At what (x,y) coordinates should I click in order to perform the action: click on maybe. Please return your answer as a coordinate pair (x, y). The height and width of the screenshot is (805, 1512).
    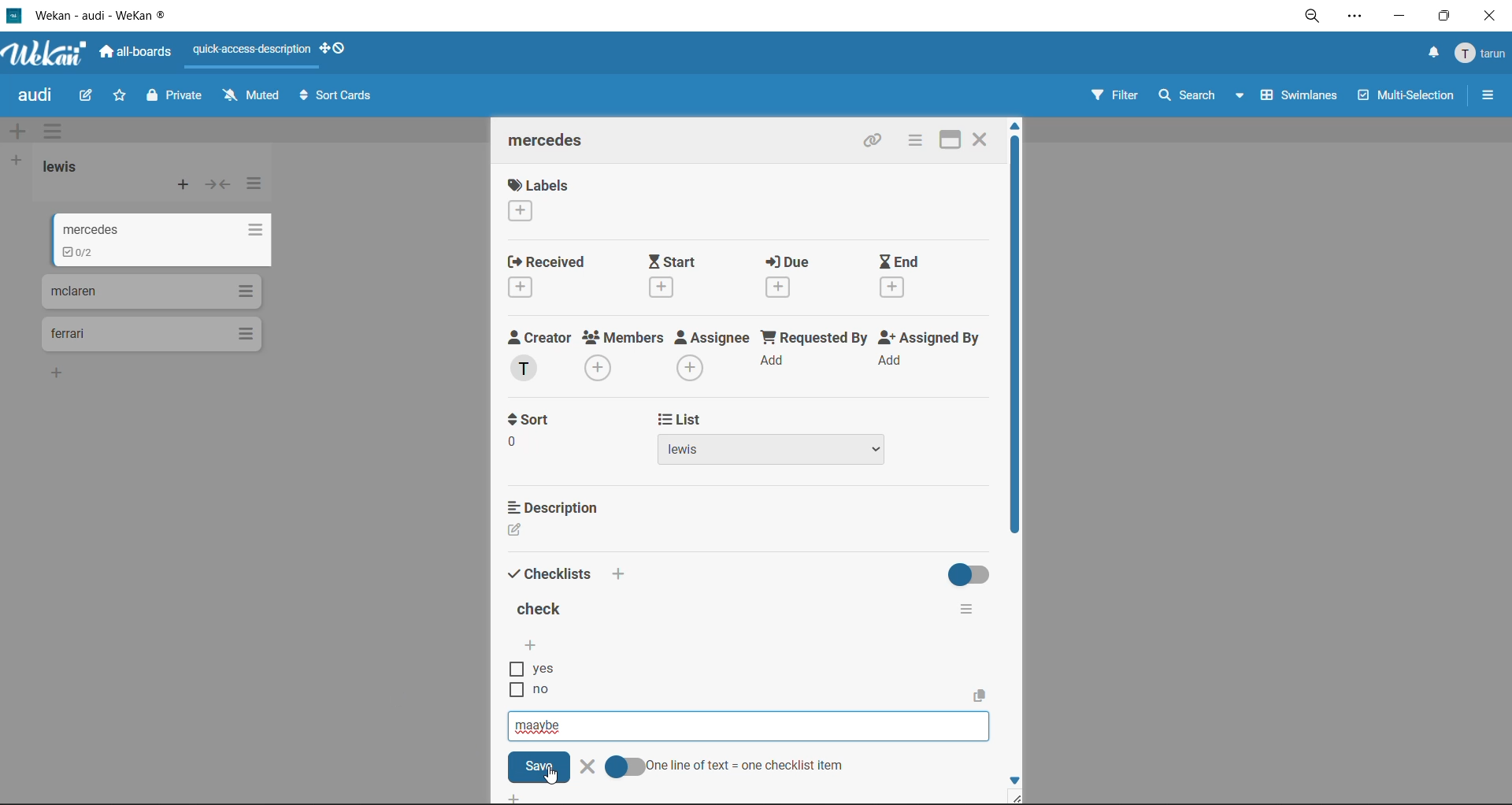
    Looking at the image, I should click on (748, 727).